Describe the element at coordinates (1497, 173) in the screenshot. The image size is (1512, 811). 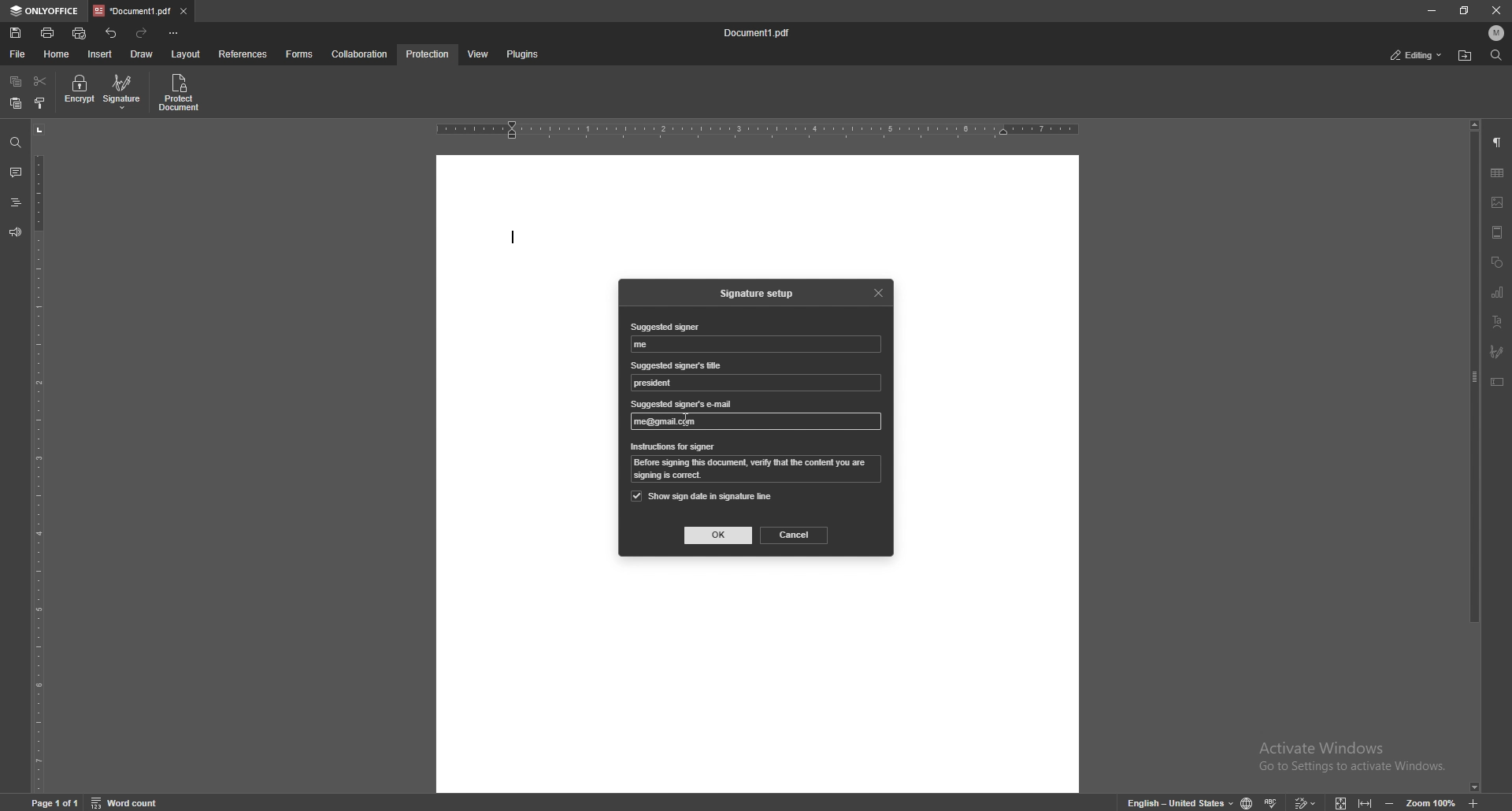
I see `table` at that location.